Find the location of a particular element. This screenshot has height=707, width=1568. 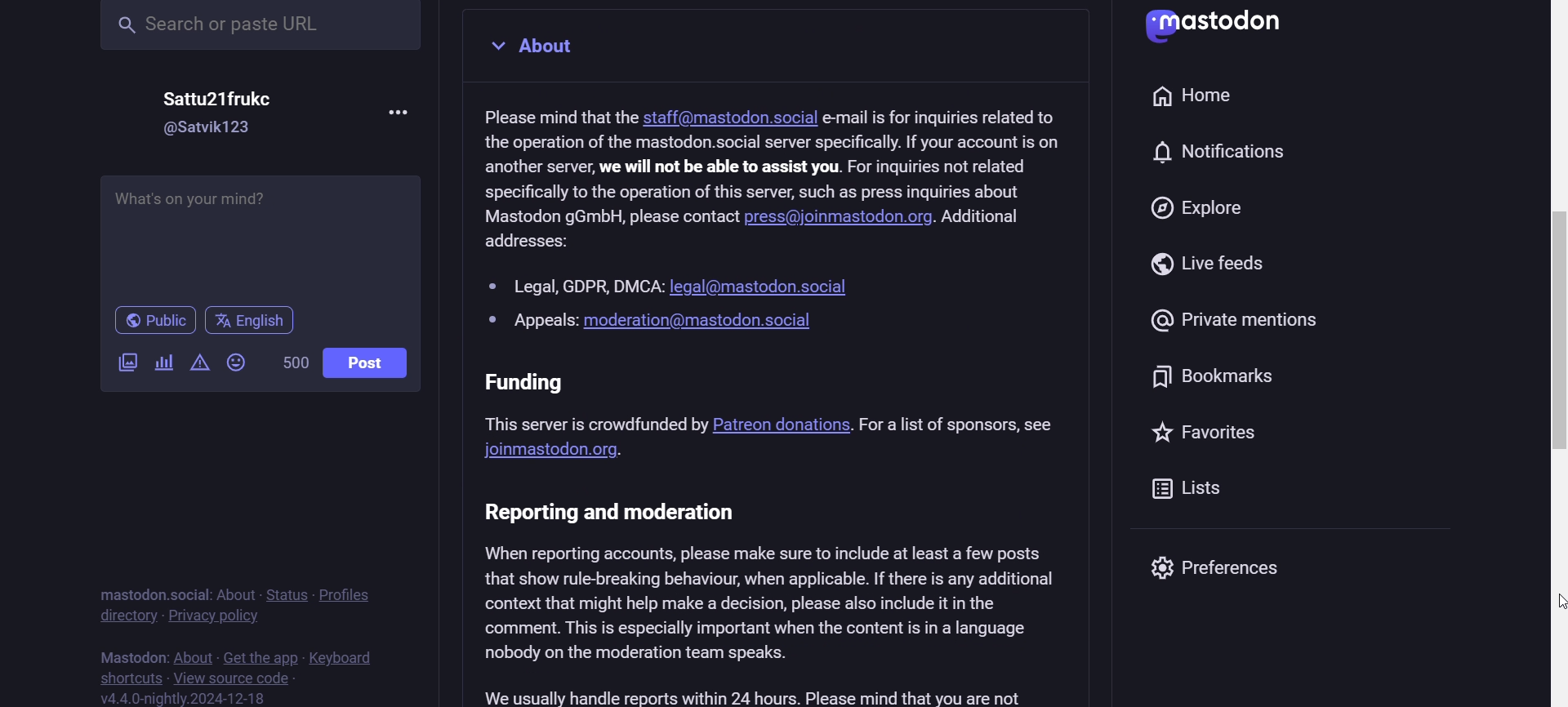

legal,GDPR, DMCA is located at coordinates (573, 285).